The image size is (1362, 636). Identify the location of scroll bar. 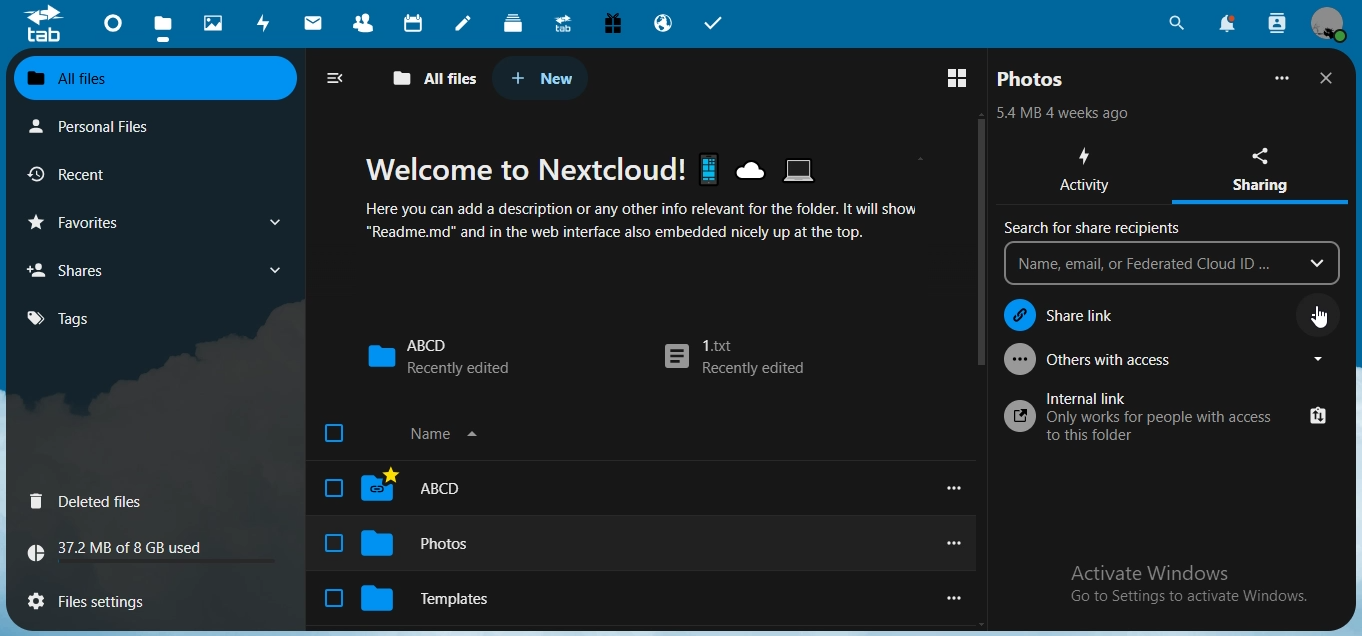
(979, 244).